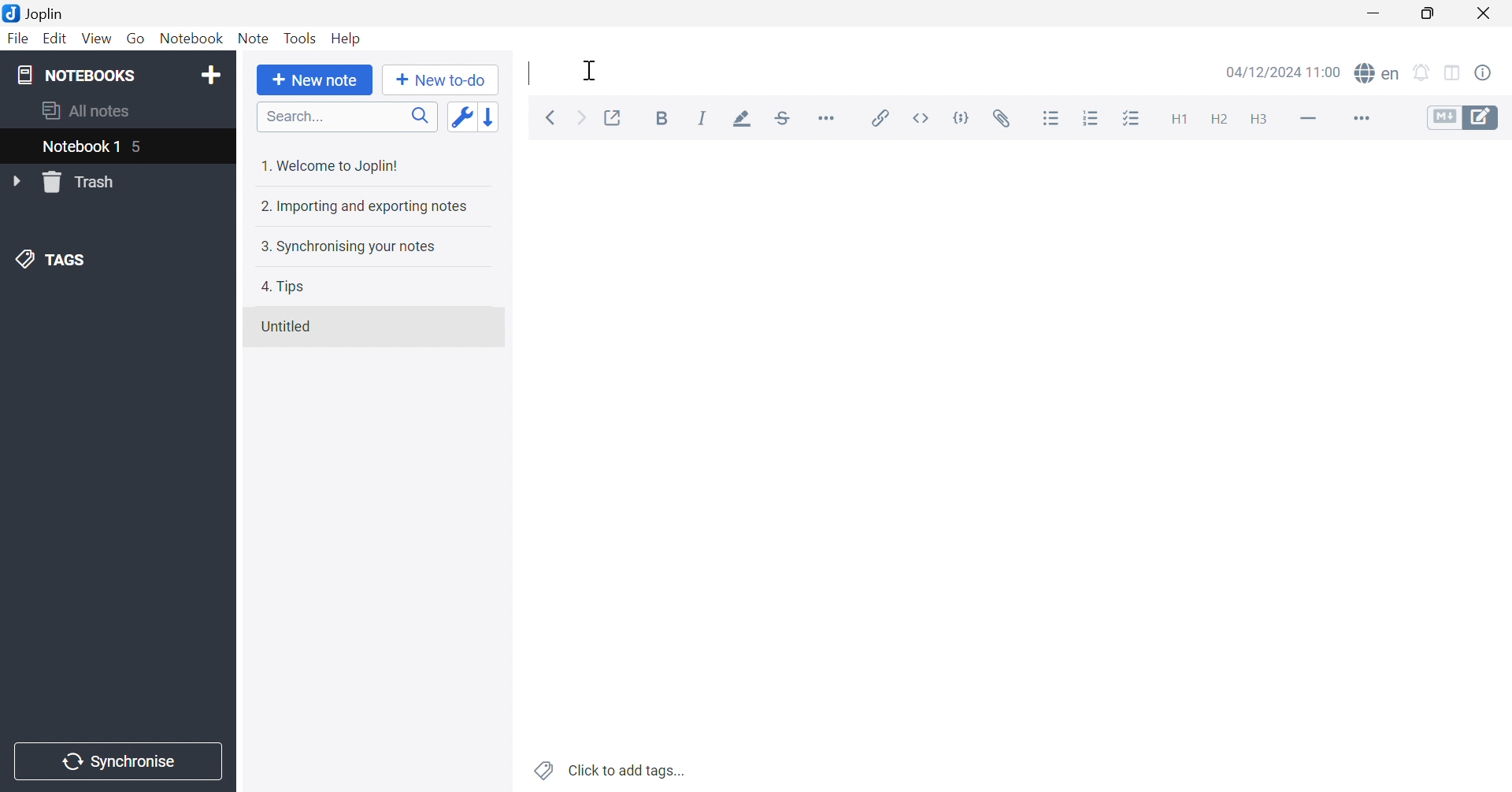 The height and width of the screenshot is (792, 1512). I want to click on Notebook 1, so click(79, 148).